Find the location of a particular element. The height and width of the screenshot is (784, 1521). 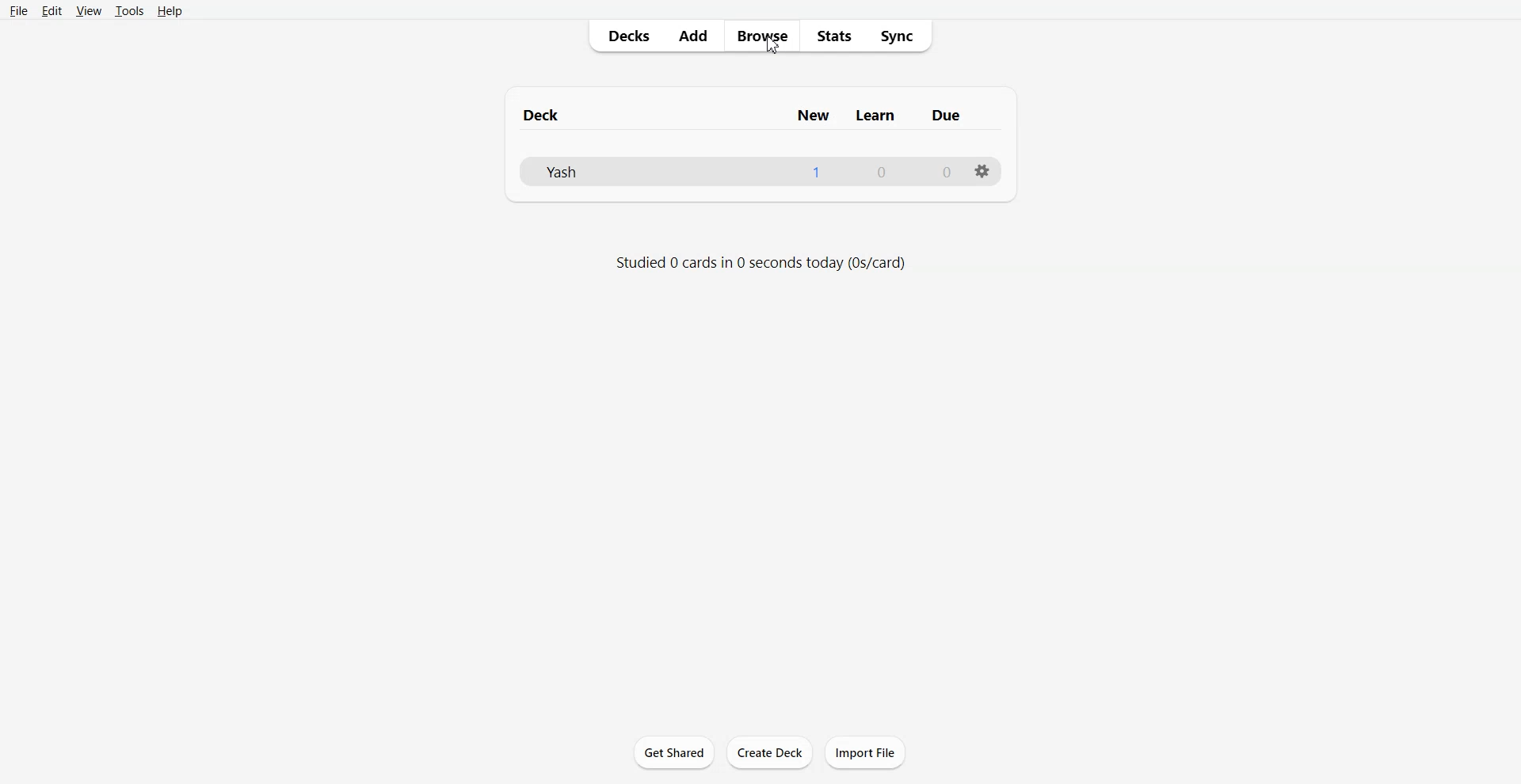

settings is located at coordinates (982, 171).